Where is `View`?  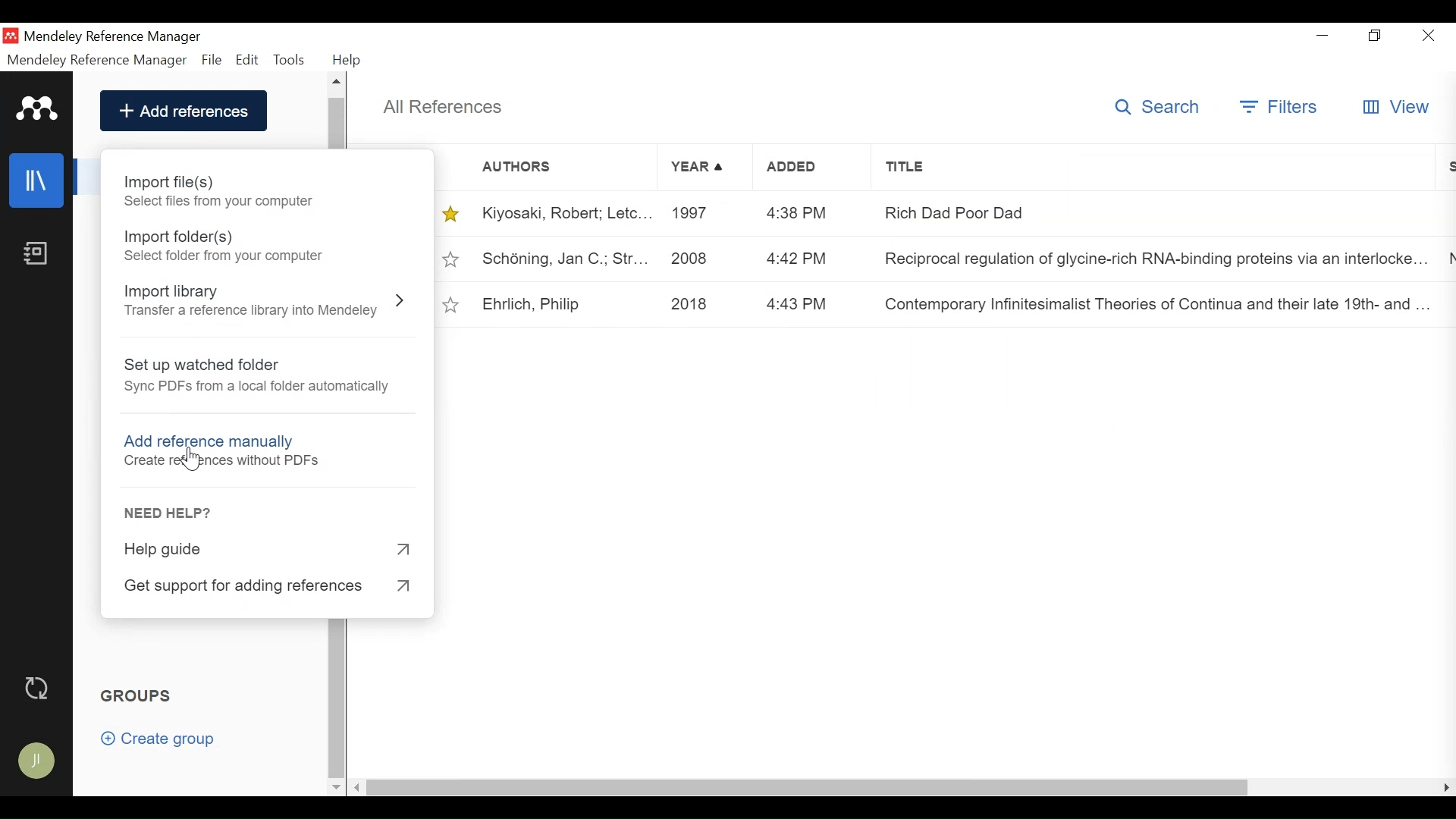
View is located at coordinates (1401, 106).